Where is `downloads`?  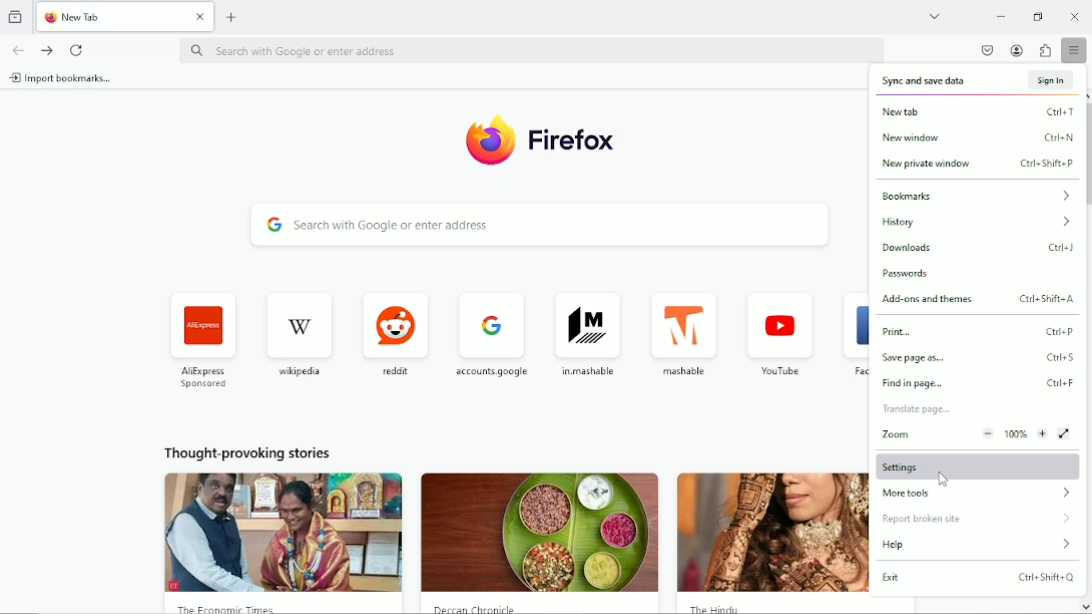
downloads is located at coordinates (976, 248).